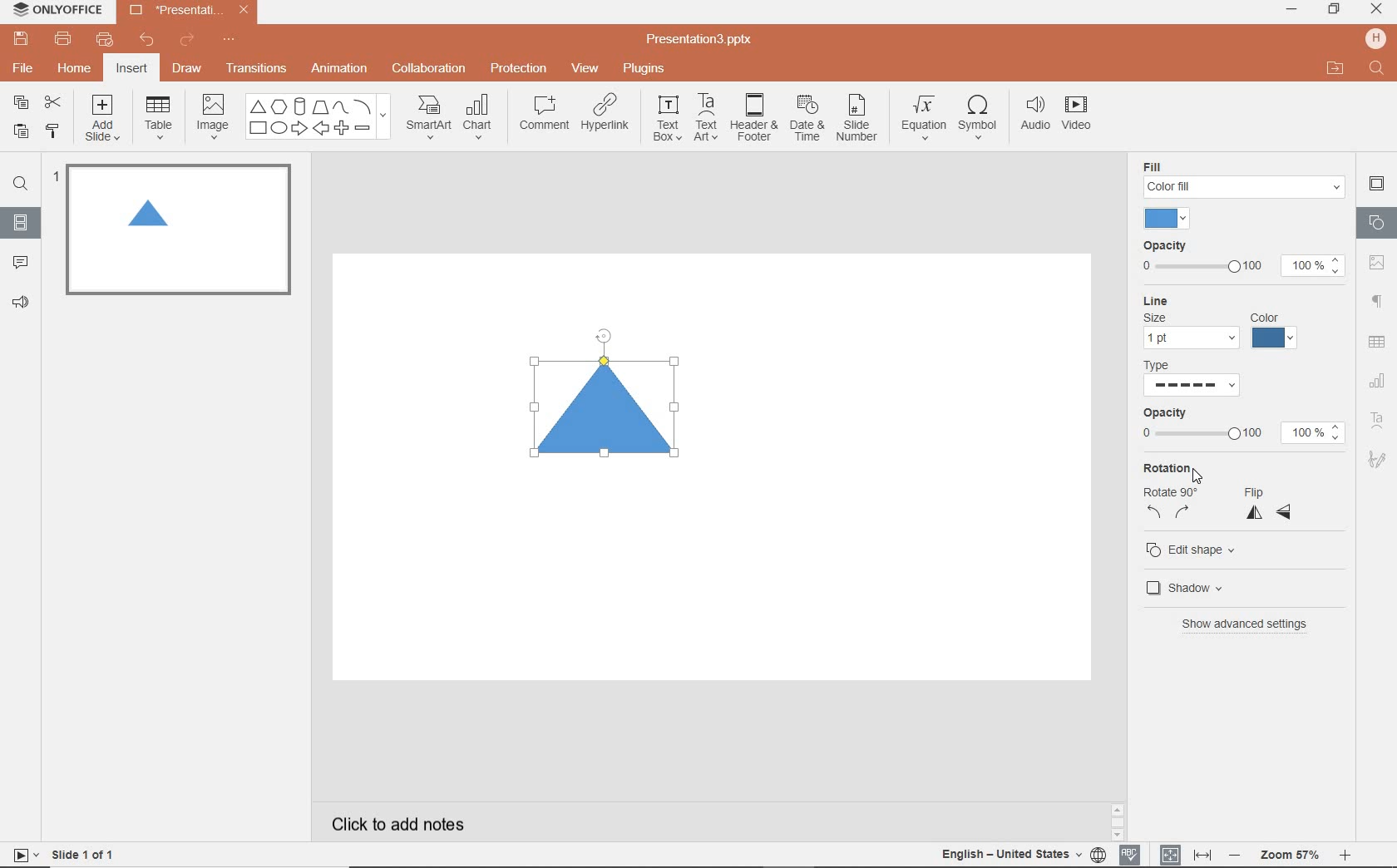 The image size is (1397, 868). What do you see at coordinates (1269, 505) in the screenshot?
I see `flip` at bounding box center [1269, 505].